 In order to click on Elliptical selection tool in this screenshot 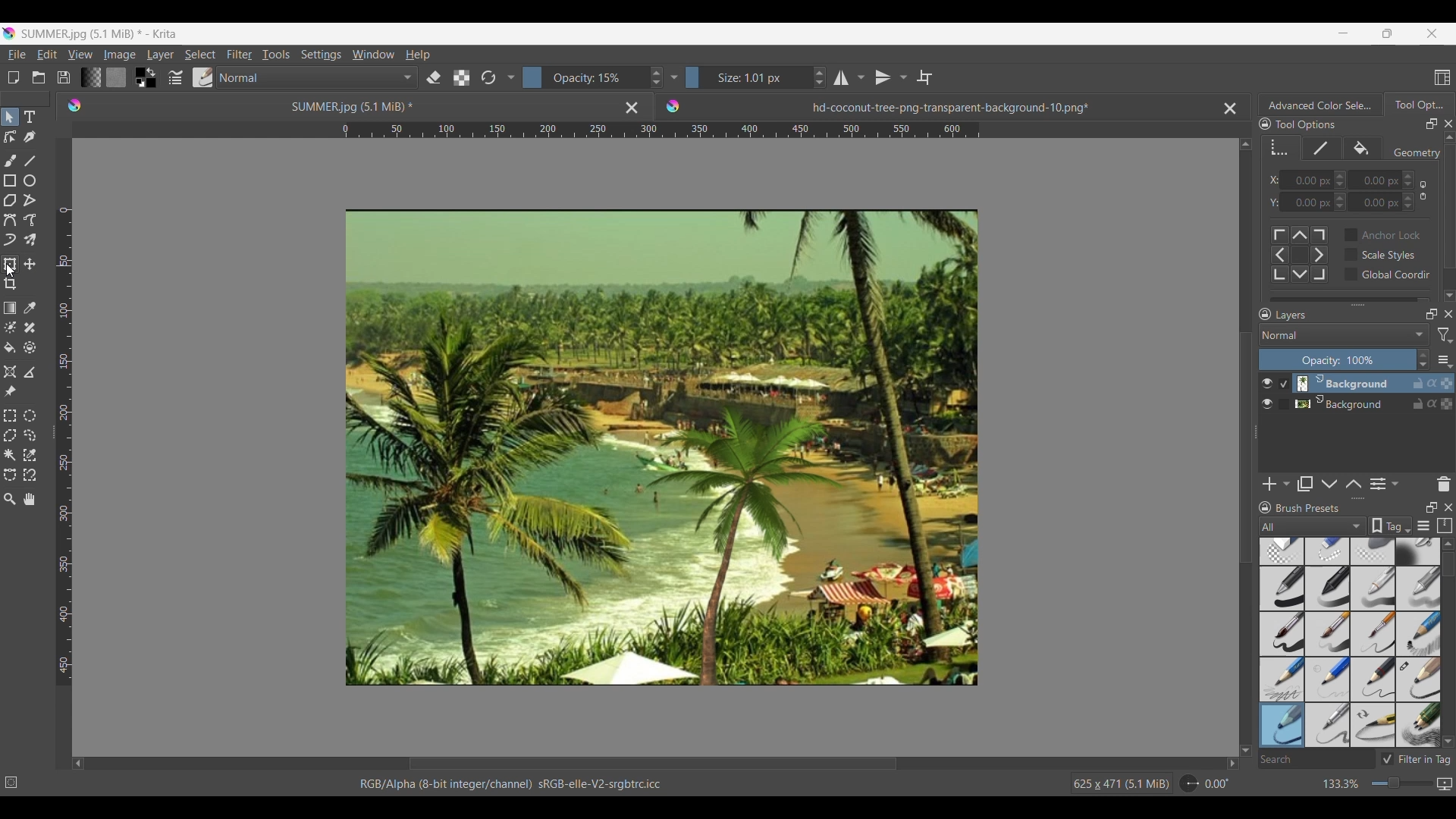, I will do `click(30, 416)`.